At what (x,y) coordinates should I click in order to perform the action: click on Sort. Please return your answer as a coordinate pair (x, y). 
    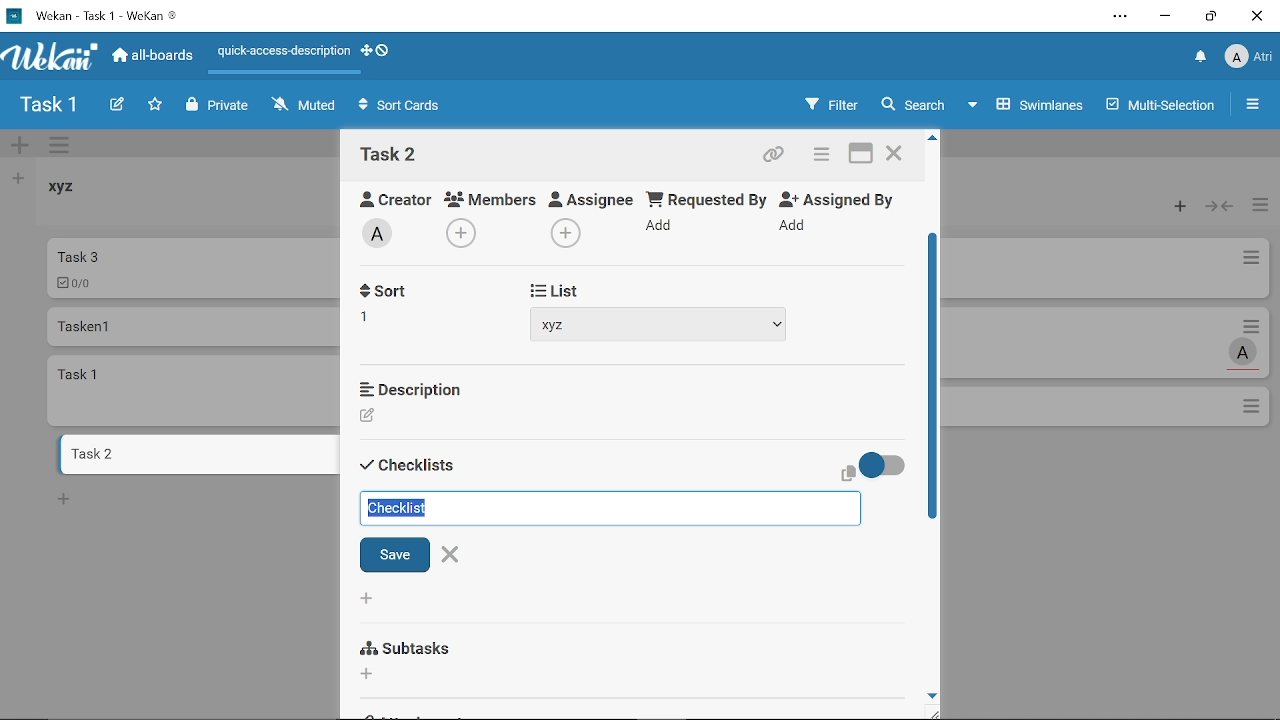
    Looking at the image, I should click on (409, 465).